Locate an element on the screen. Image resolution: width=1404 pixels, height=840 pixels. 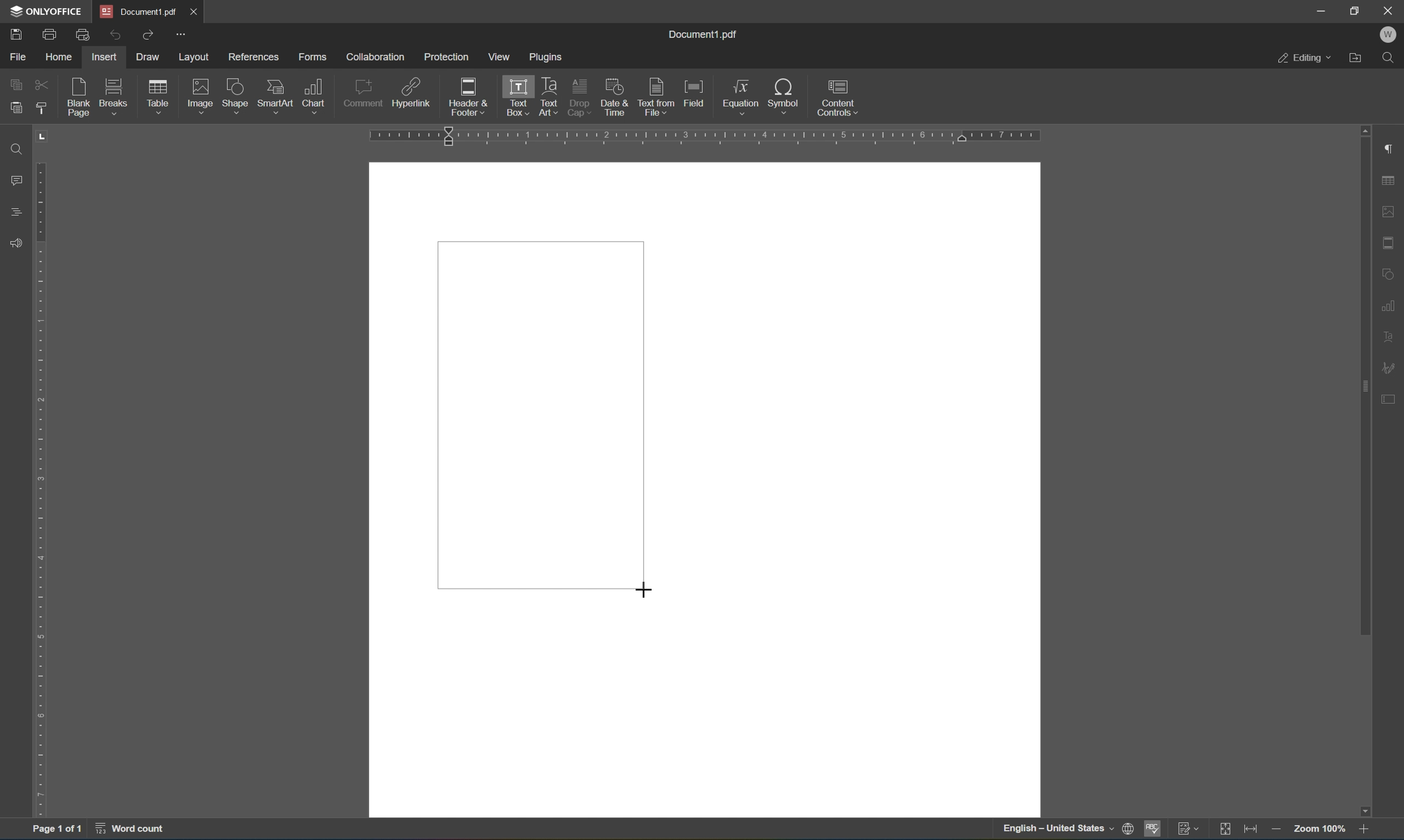
paste is located at coordinates (13, 109).